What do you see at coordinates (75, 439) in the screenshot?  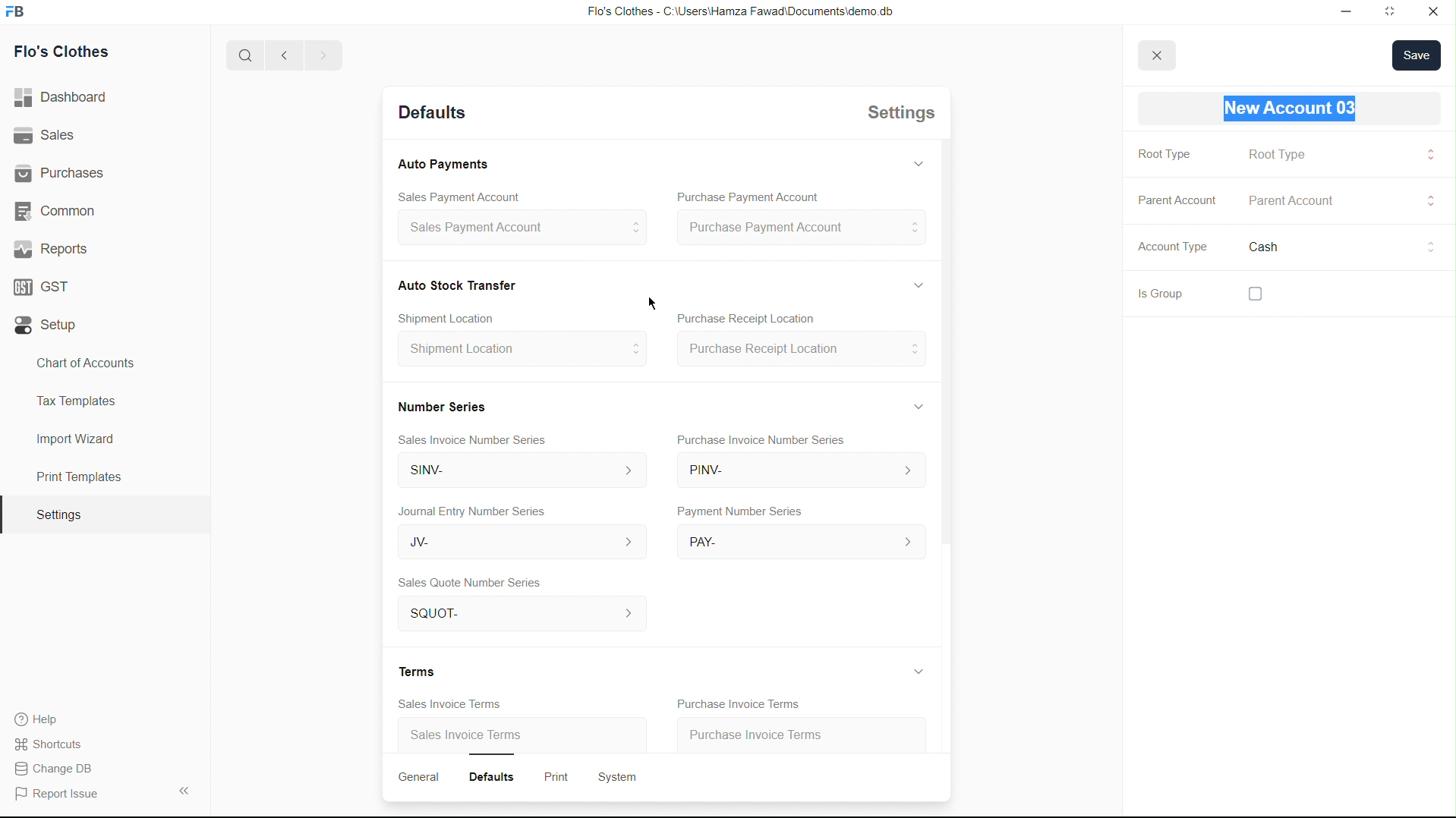 I see `Import Wizard` at bounding box center [75, 439].